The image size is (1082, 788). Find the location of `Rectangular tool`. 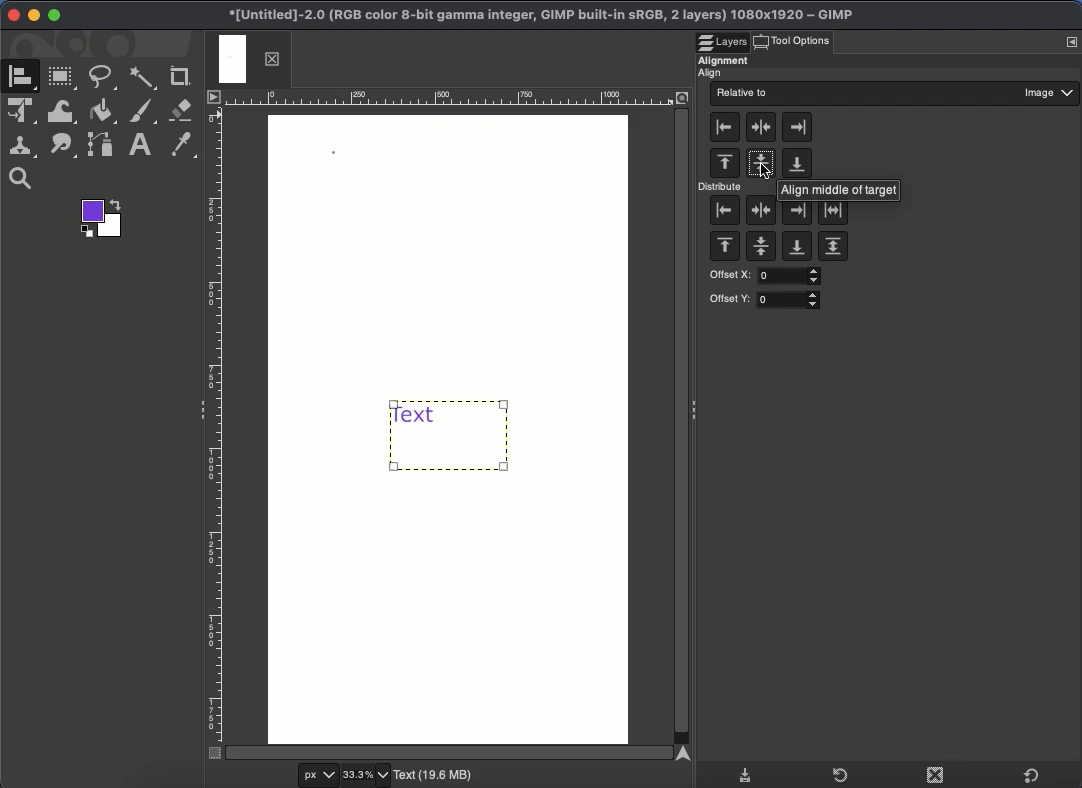

Rectangular tool is located at coordinates (63, 77).